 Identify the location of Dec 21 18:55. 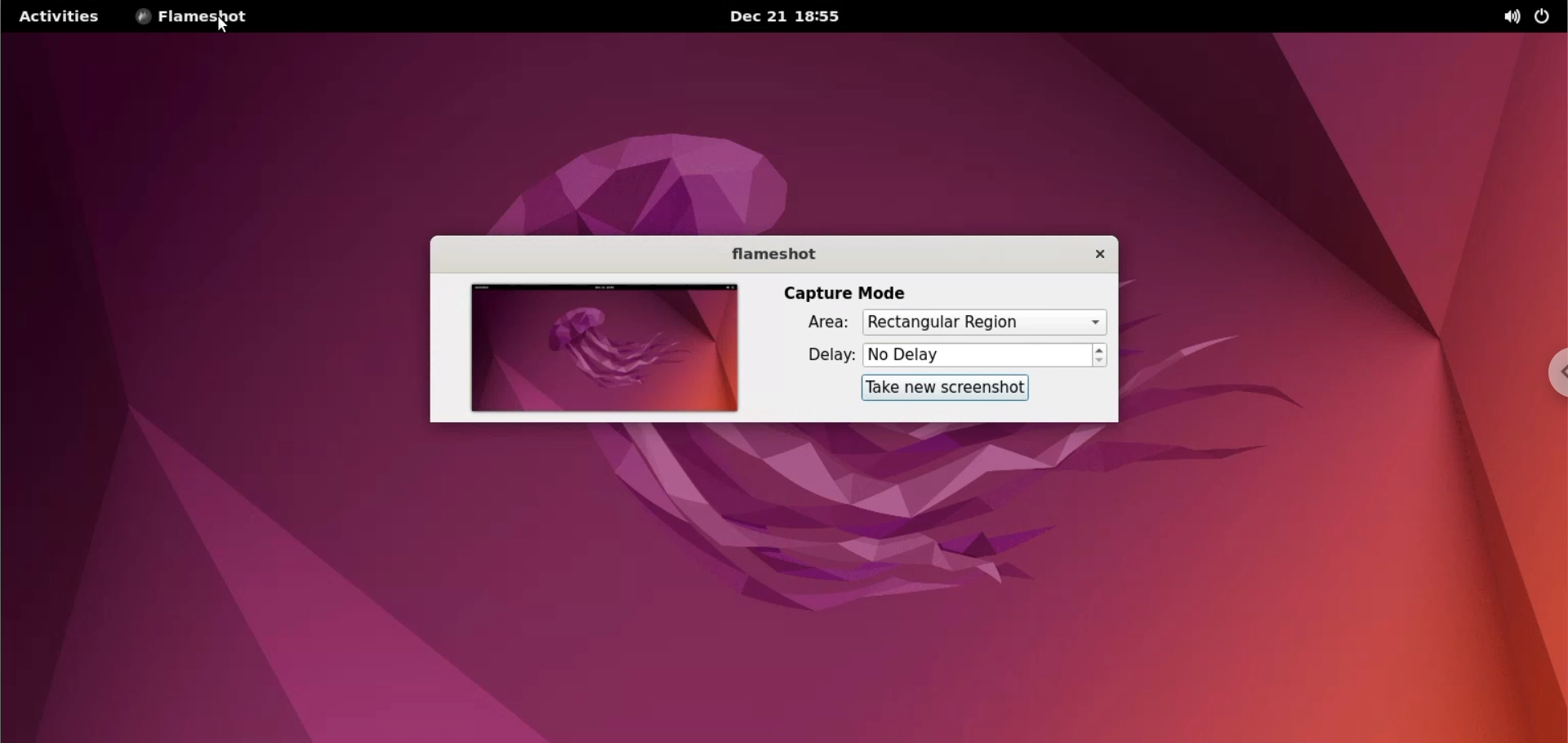
(784, 17).